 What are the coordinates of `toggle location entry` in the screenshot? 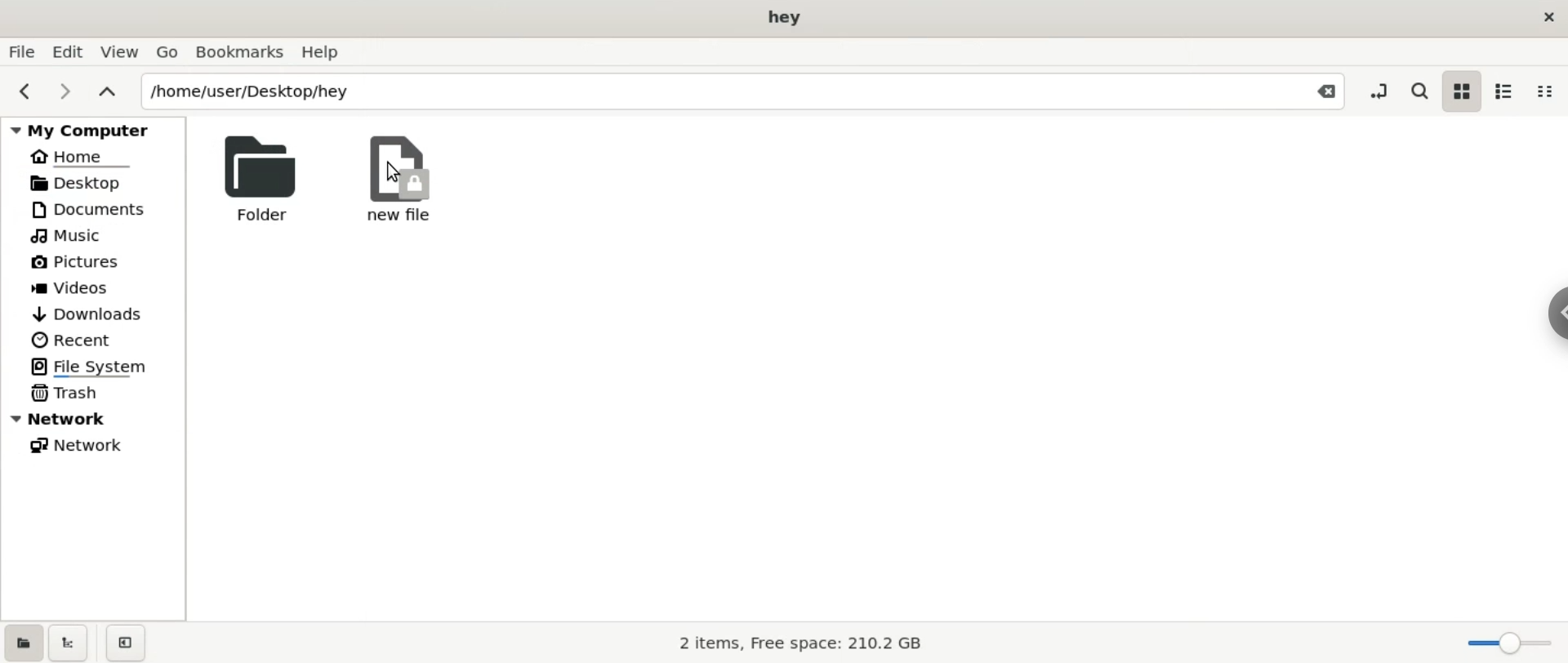 It's located at (1382, 90).